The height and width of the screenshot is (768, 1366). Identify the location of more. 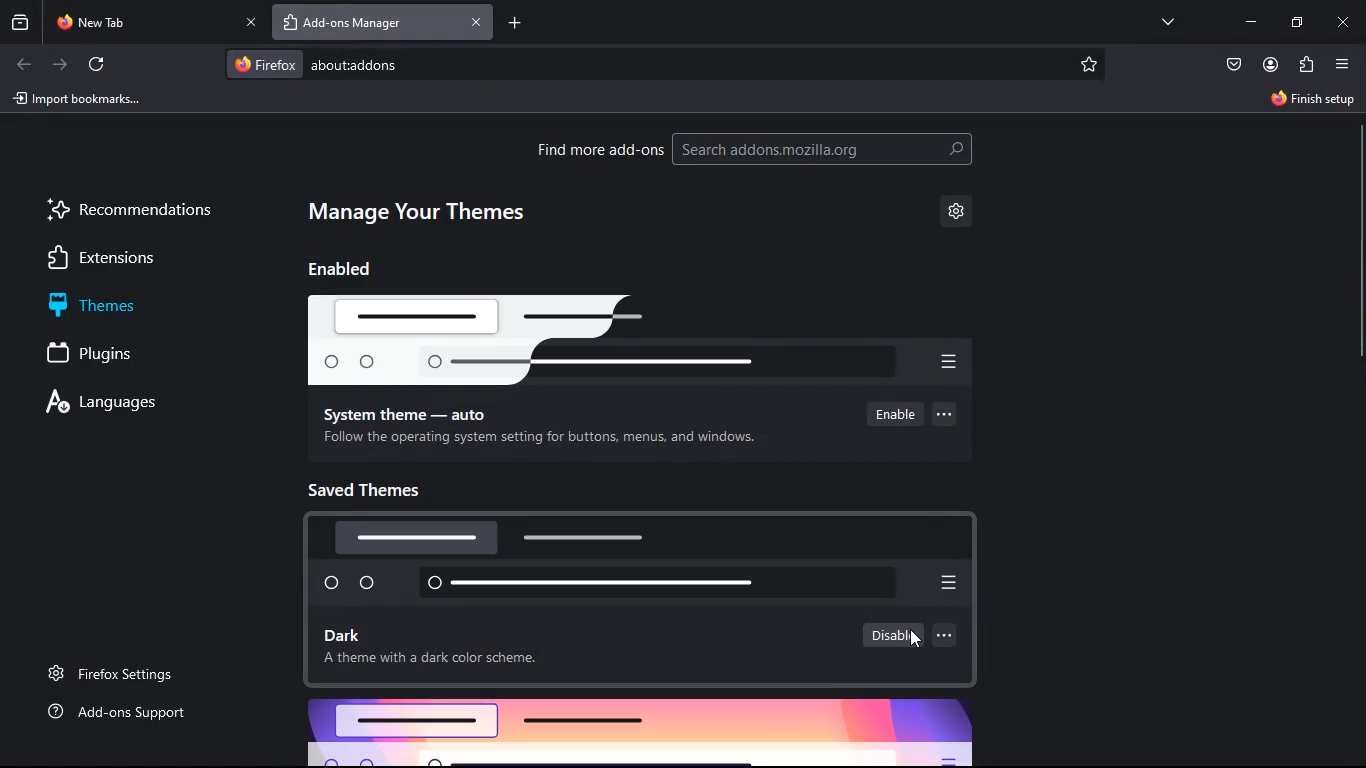
(952, 640).